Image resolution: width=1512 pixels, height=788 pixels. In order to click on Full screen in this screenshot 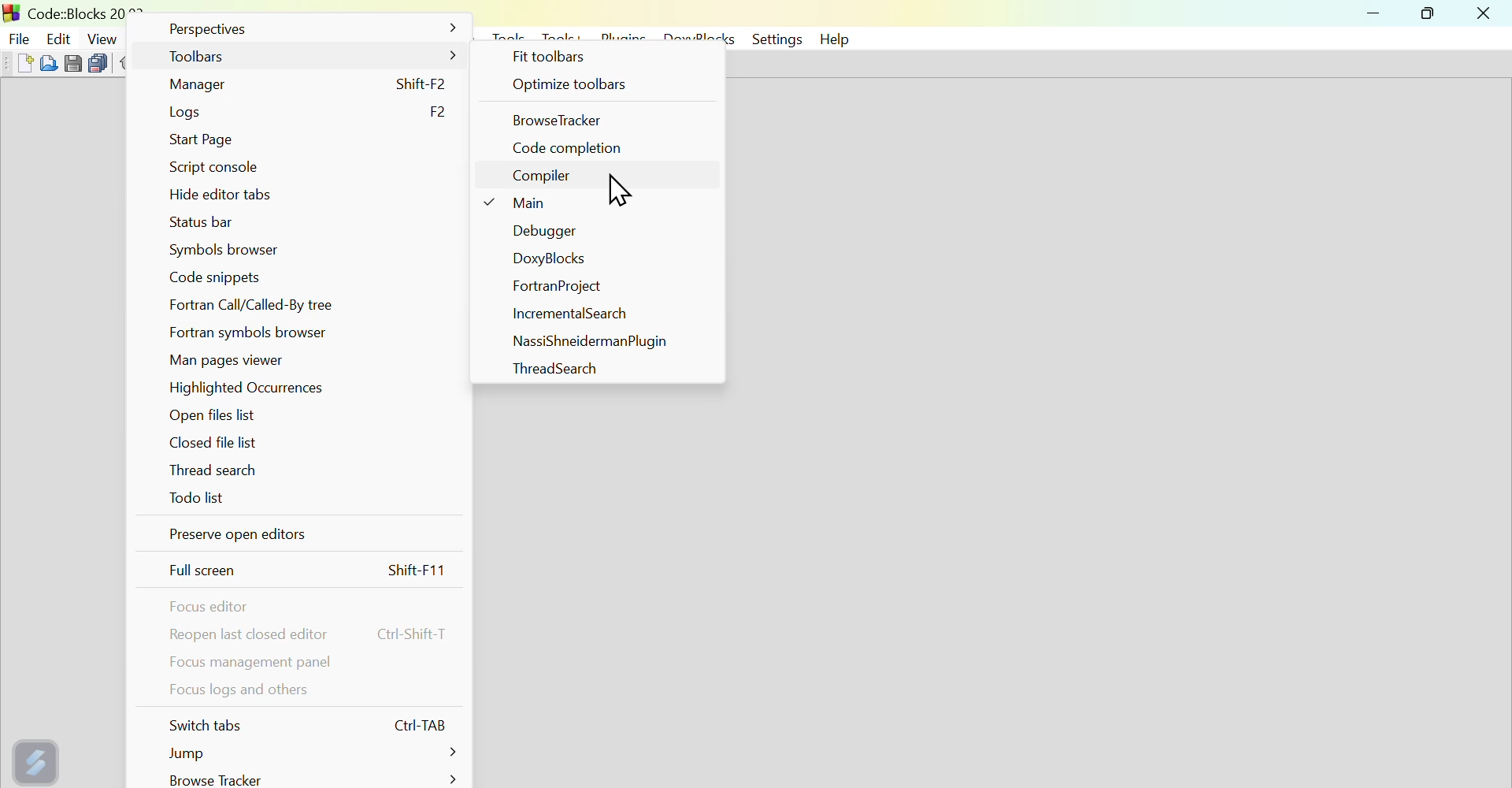, I will do `click(310, 572)`.